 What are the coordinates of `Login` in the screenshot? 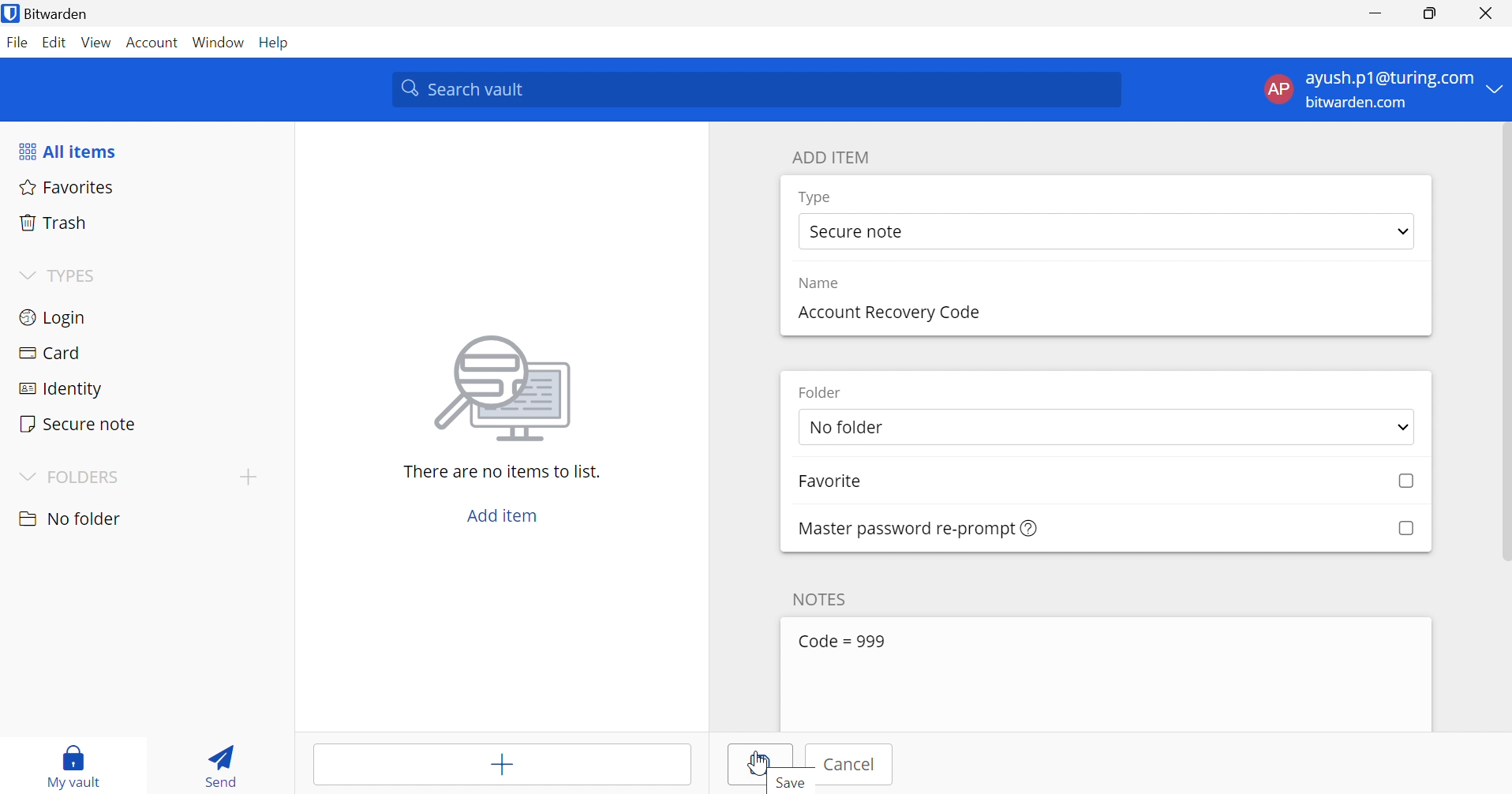 It's located at (51, 320).